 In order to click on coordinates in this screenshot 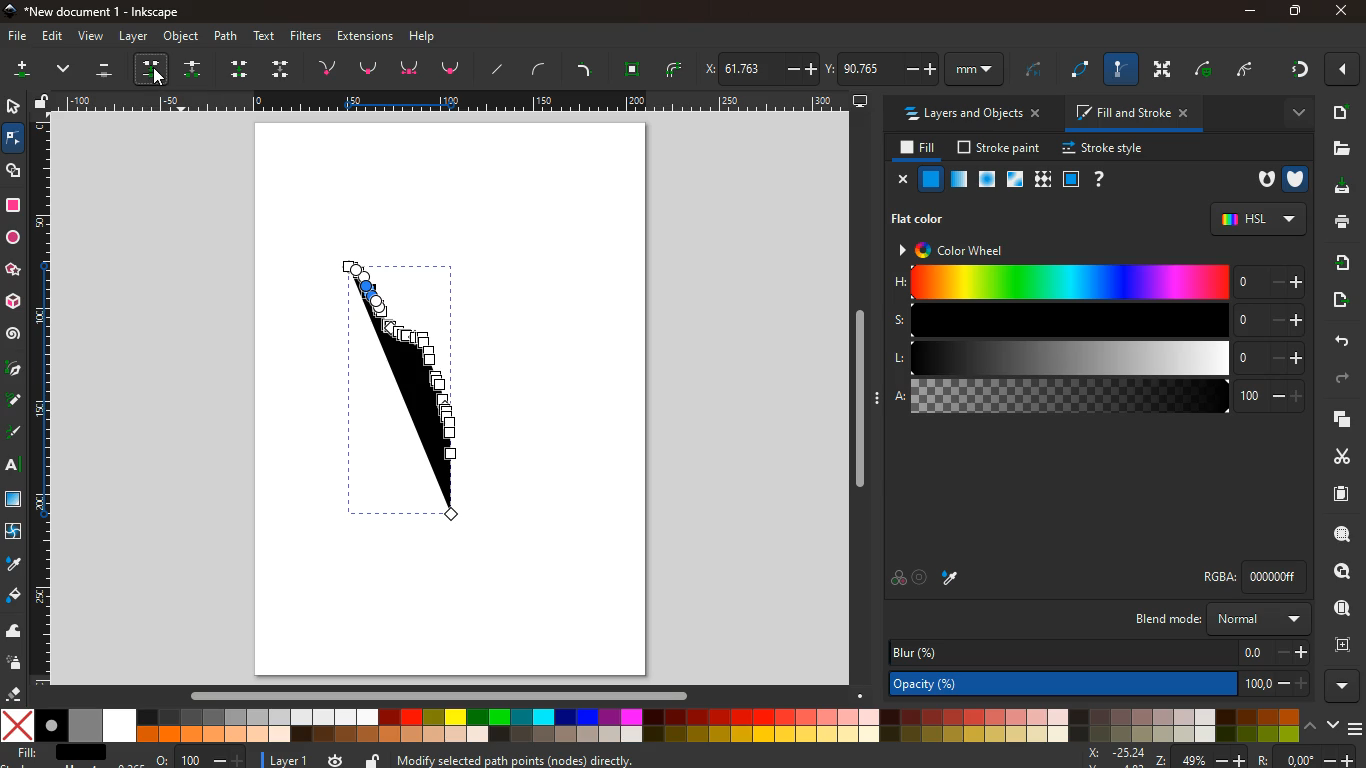, I will do `click(1218, 757)`.